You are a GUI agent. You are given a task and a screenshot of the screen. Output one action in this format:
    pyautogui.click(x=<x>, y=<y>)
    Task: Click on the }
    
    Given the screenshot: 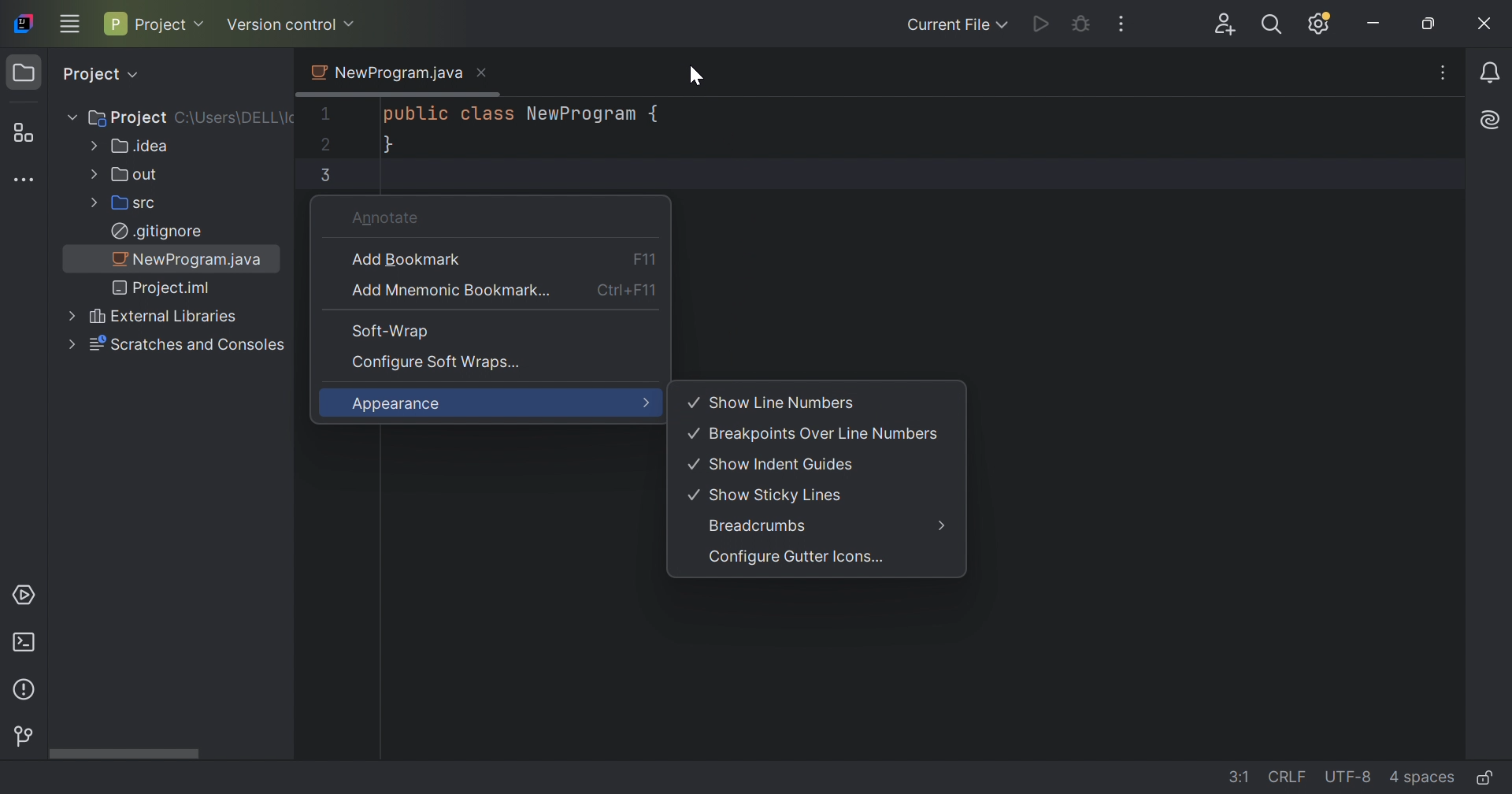 What is the action you would take?
    pyautogui.click(x=399, y=147)
    